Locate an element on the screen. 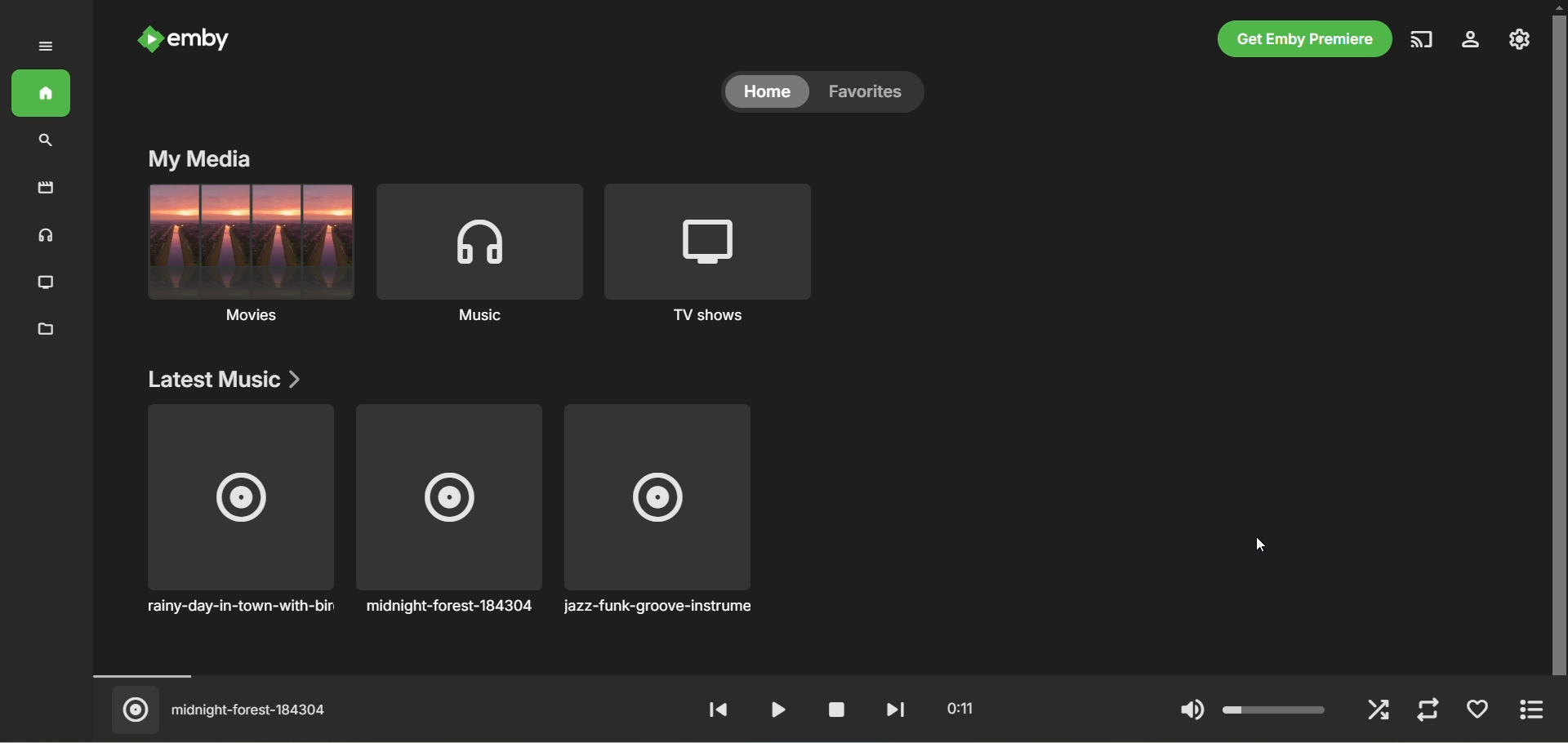  movies is located at coordinates (251, 253).